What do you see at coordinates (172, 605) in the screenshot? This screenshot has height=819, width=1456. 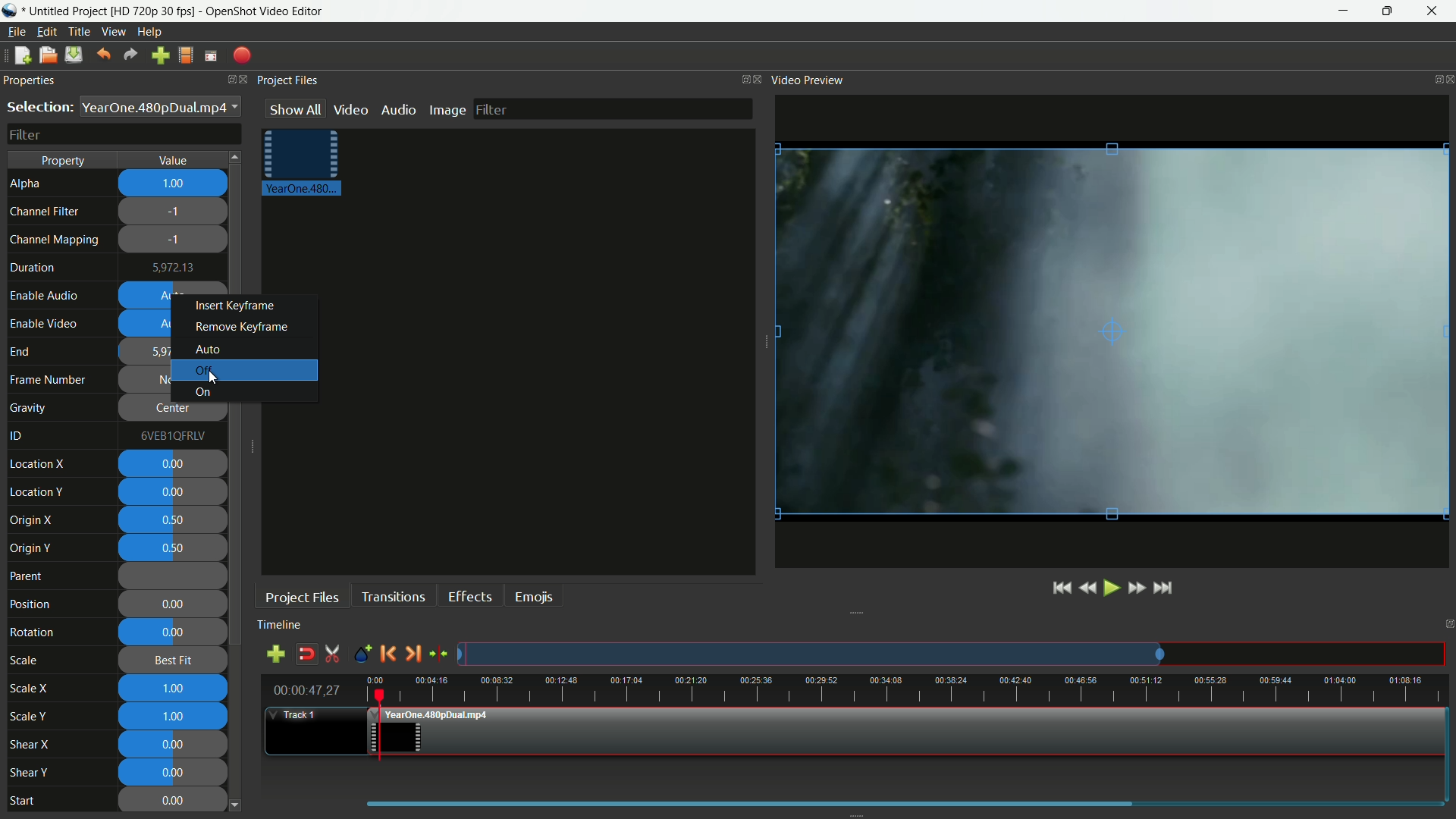 I see `0.00` at bounding box center [172, 605].